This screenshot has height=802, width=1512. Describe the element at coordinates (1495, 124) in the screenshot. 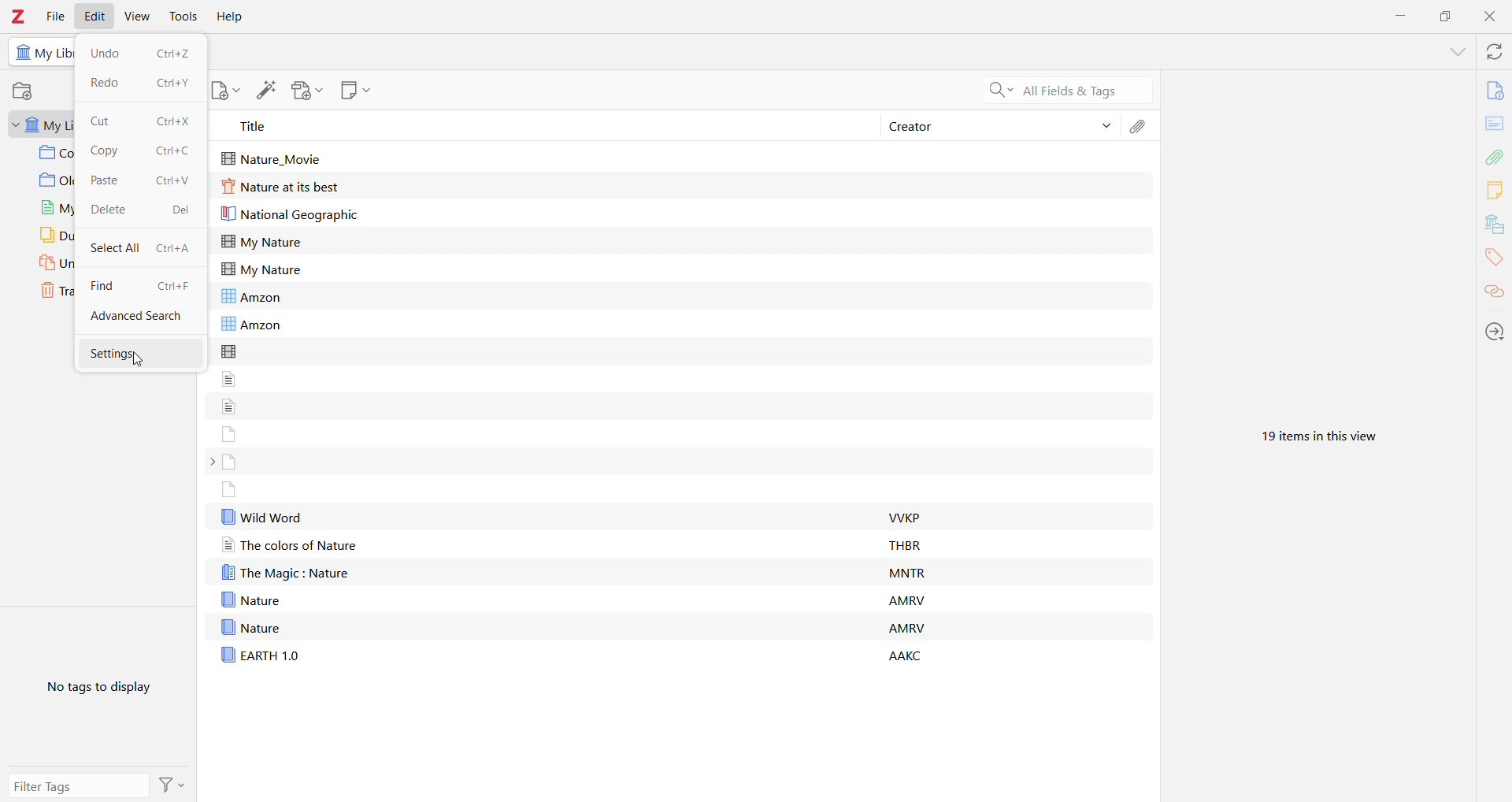

I see `Abstract` at that location.